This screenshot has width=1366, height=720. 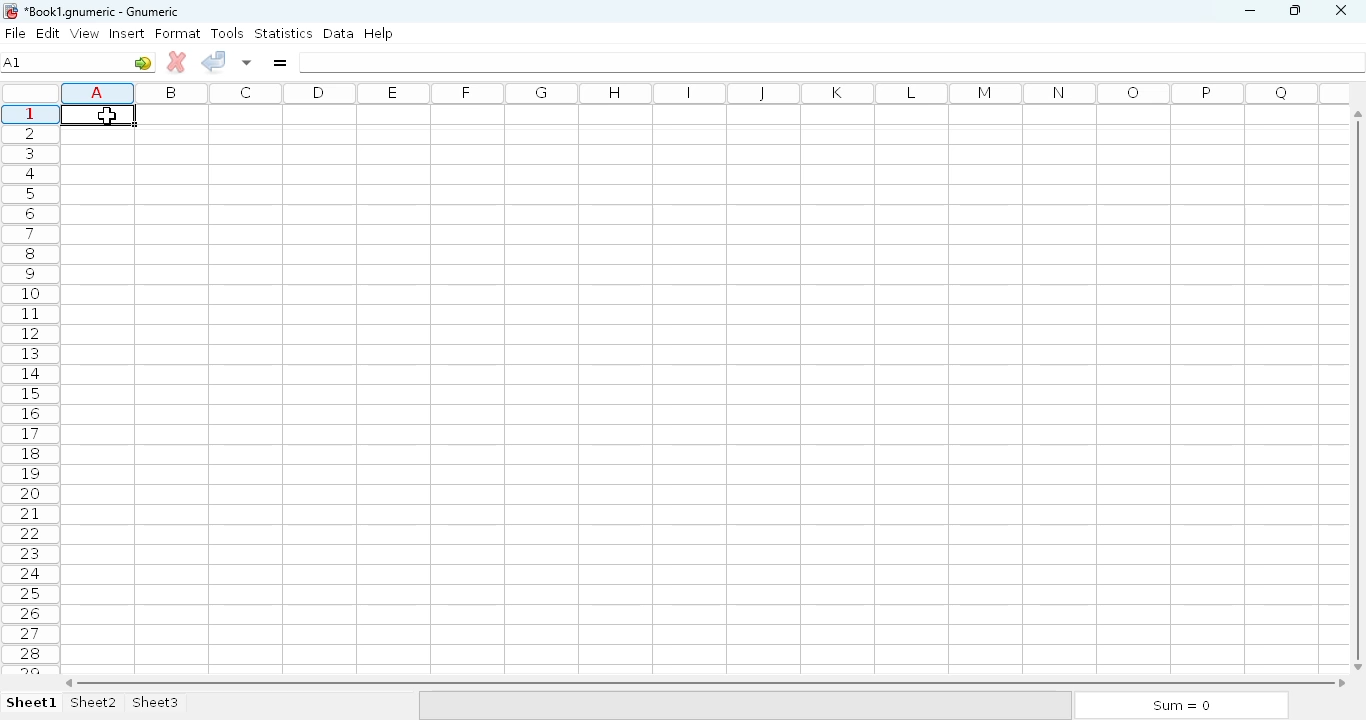 What do you see at coordinates (1249, 11) in the screenshot?
I see `minimize` at bounding box center [1249, 11].